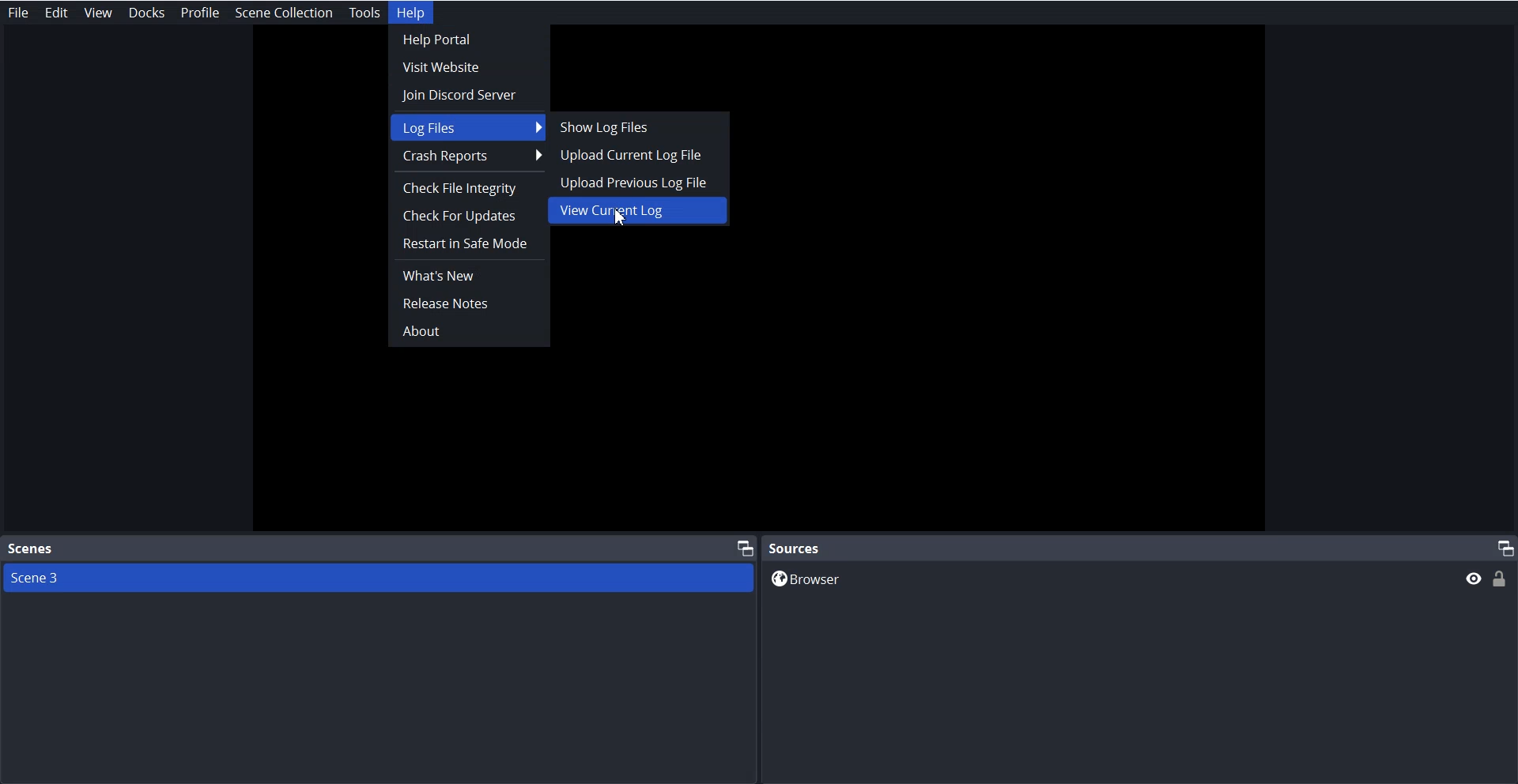 Image resolution: width=1518 pixels, height=784 pixels. I want to click on View, so click(97, 11).